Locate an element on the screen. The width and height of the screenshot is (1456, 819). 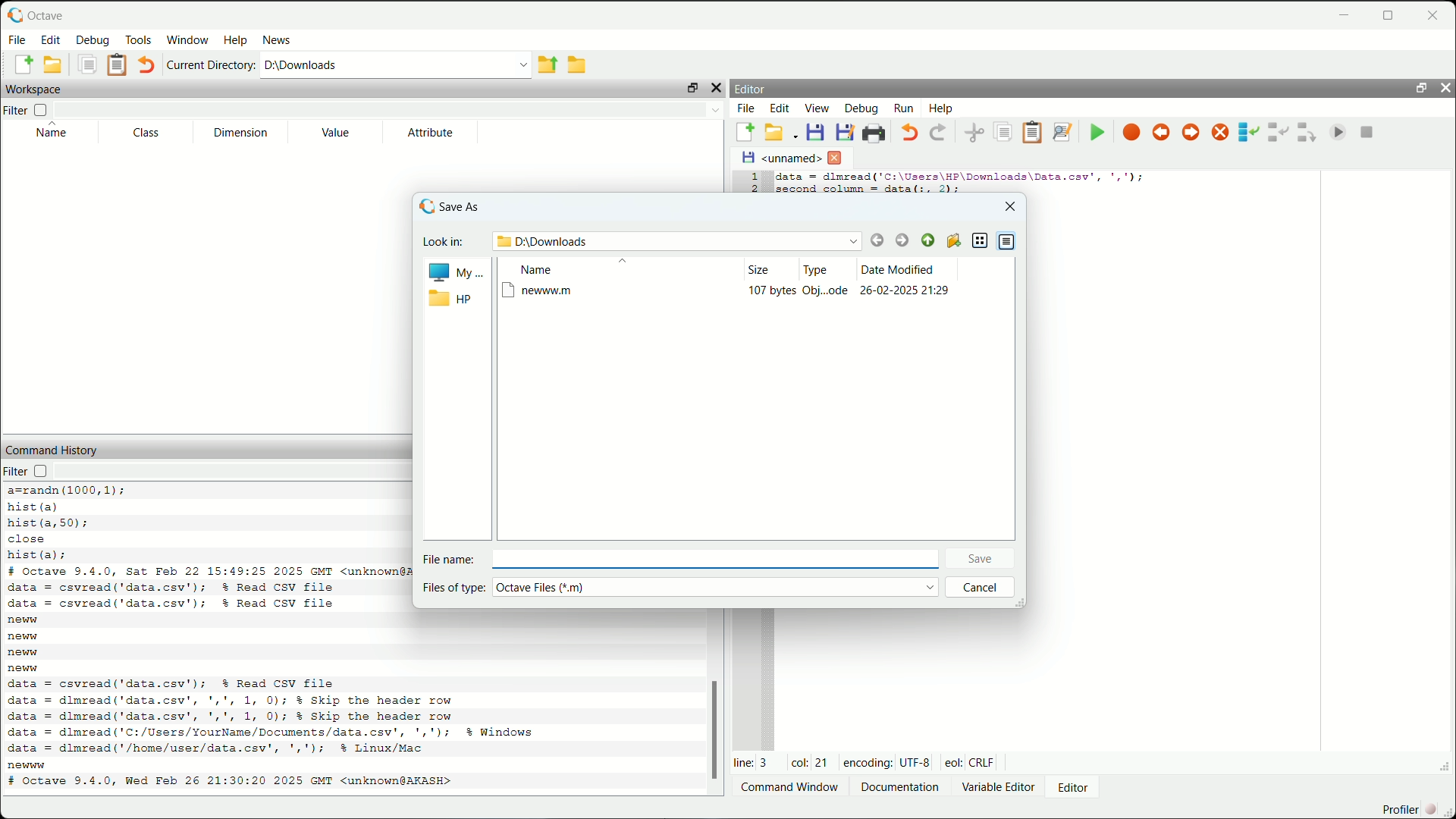
name is located at coordinates (55, 134).